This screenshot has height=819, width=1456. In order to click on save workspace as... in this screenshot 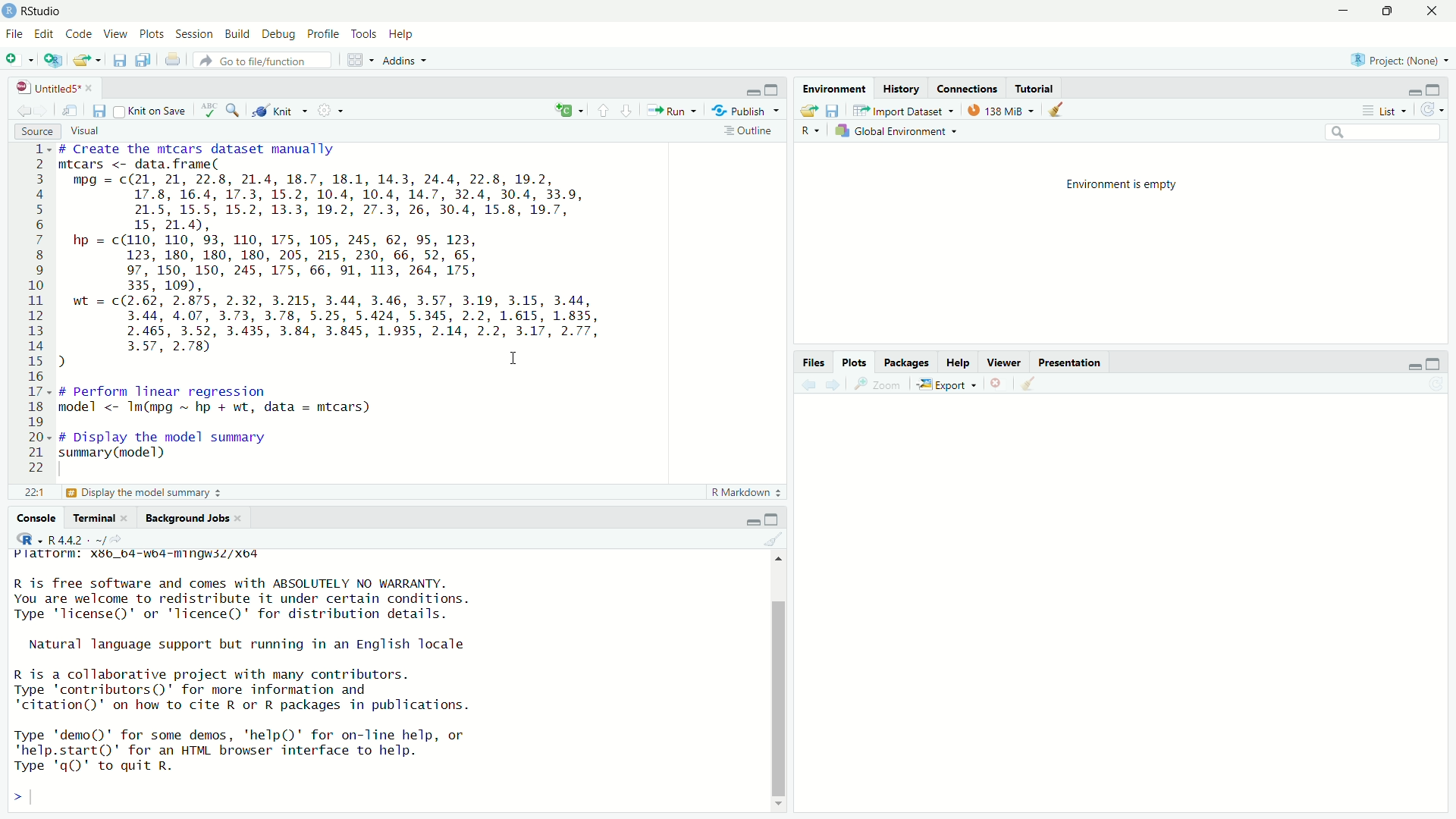, I will do `click(833, 111)`.